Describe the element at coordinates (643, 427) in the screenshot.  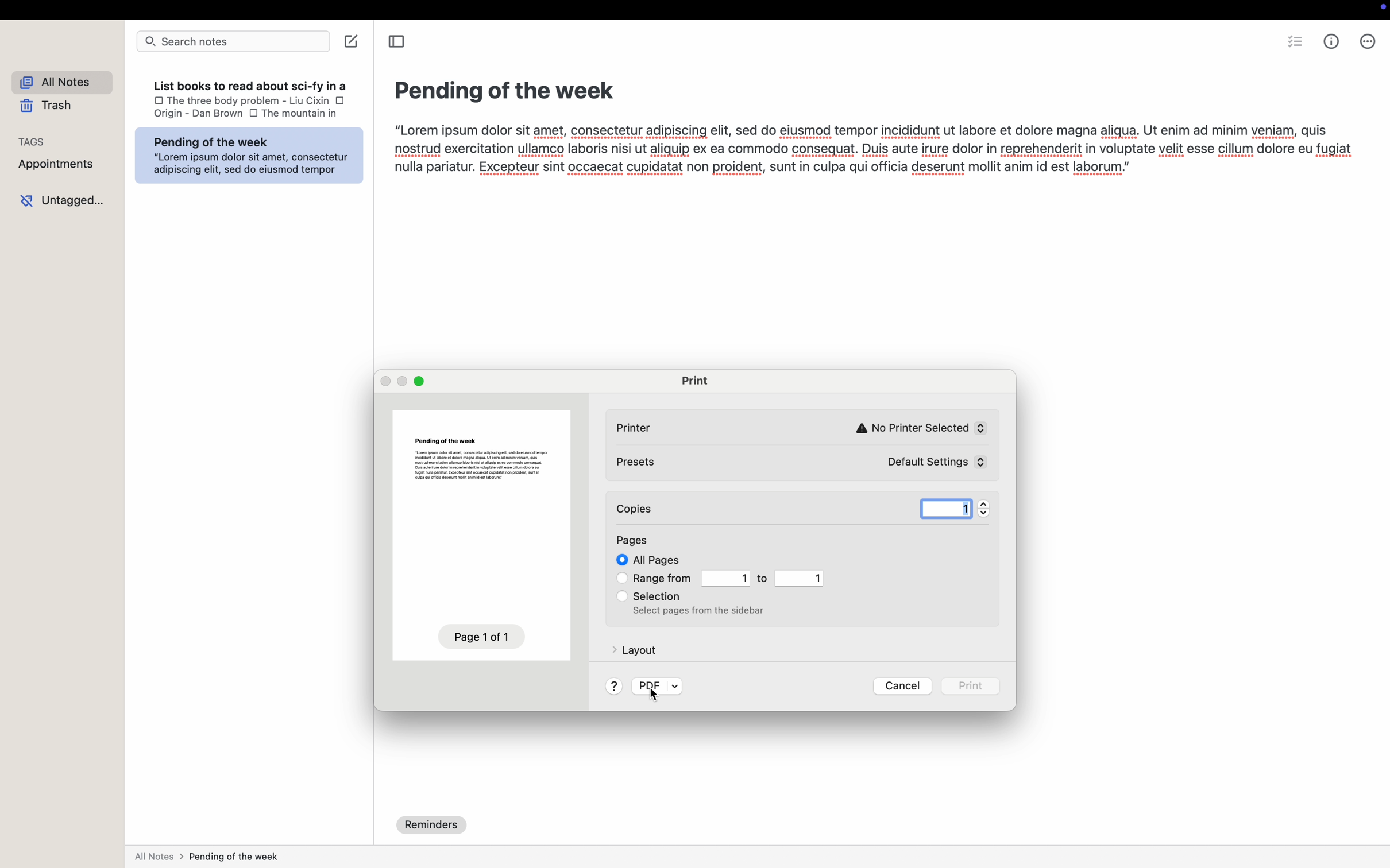
I see `Printer` at that location.